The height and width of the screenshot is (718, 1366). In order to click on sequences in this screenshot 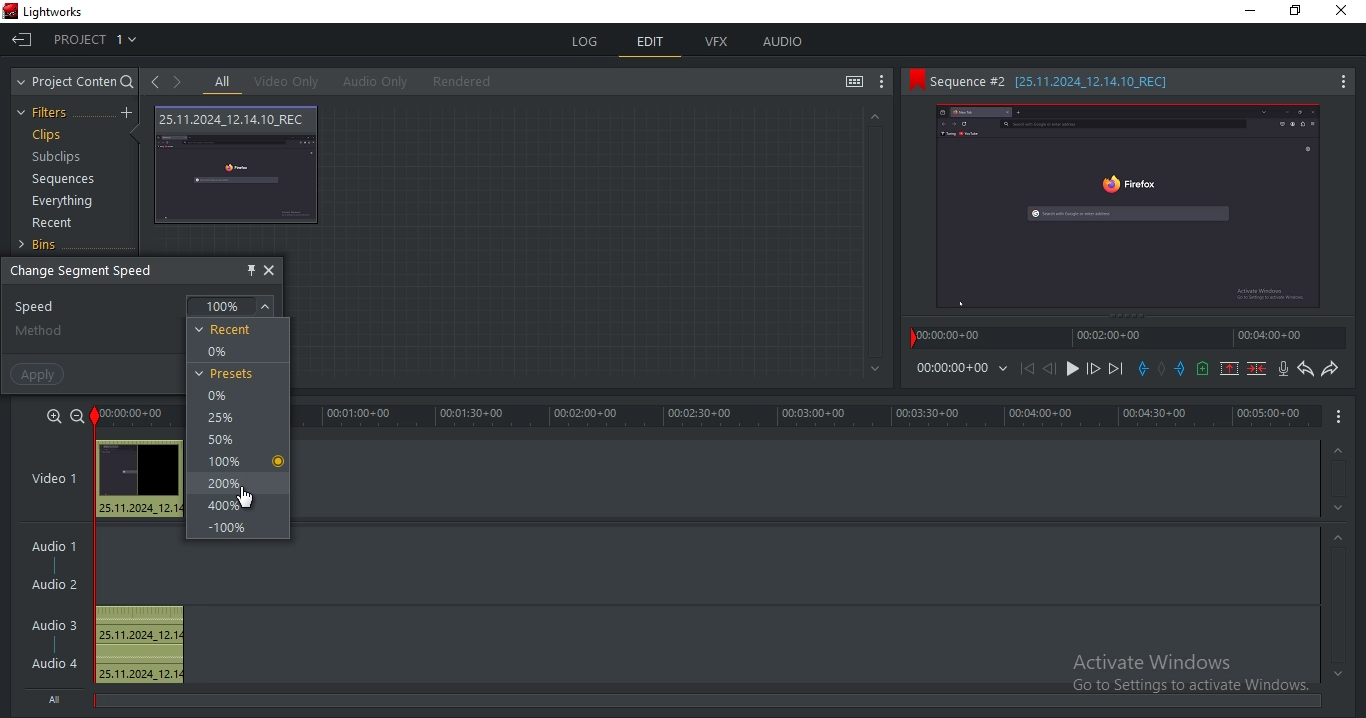, I will do `click(64, 179)`.